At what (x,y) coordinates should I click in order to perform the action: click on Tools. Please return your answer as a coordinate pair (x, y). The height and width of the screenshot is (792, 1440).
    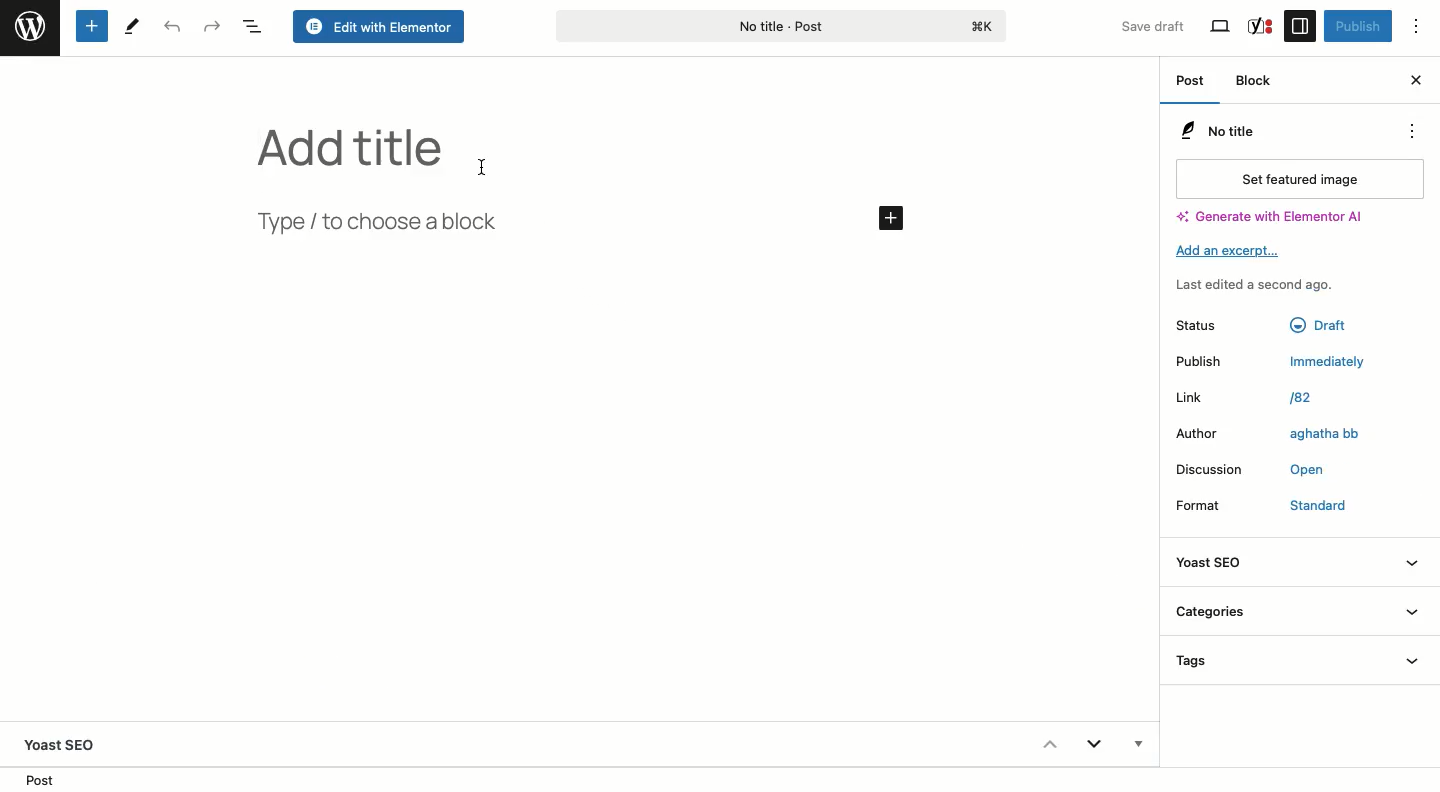
    Looking at the image, I should click on (133, 25).